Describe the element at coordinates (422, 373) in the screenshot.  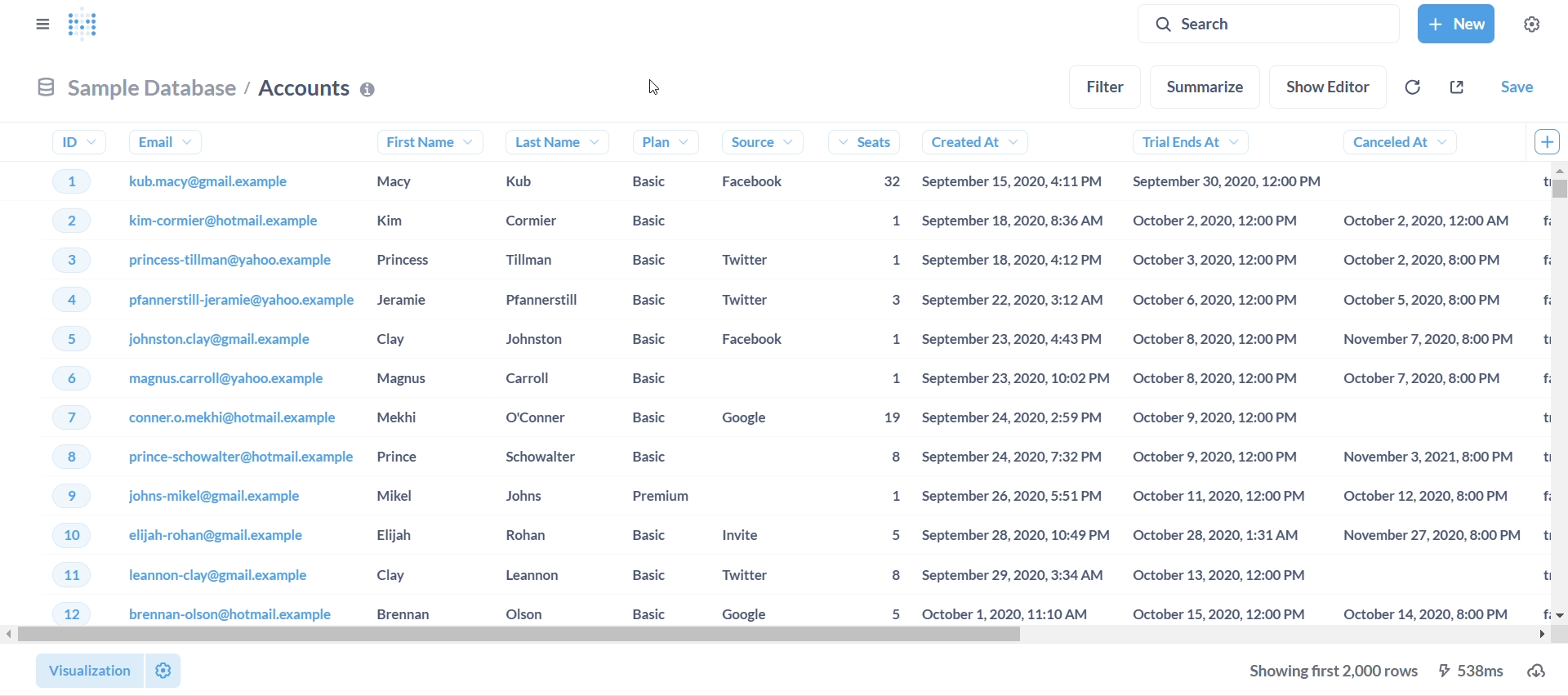
I see `first name's` at that location.